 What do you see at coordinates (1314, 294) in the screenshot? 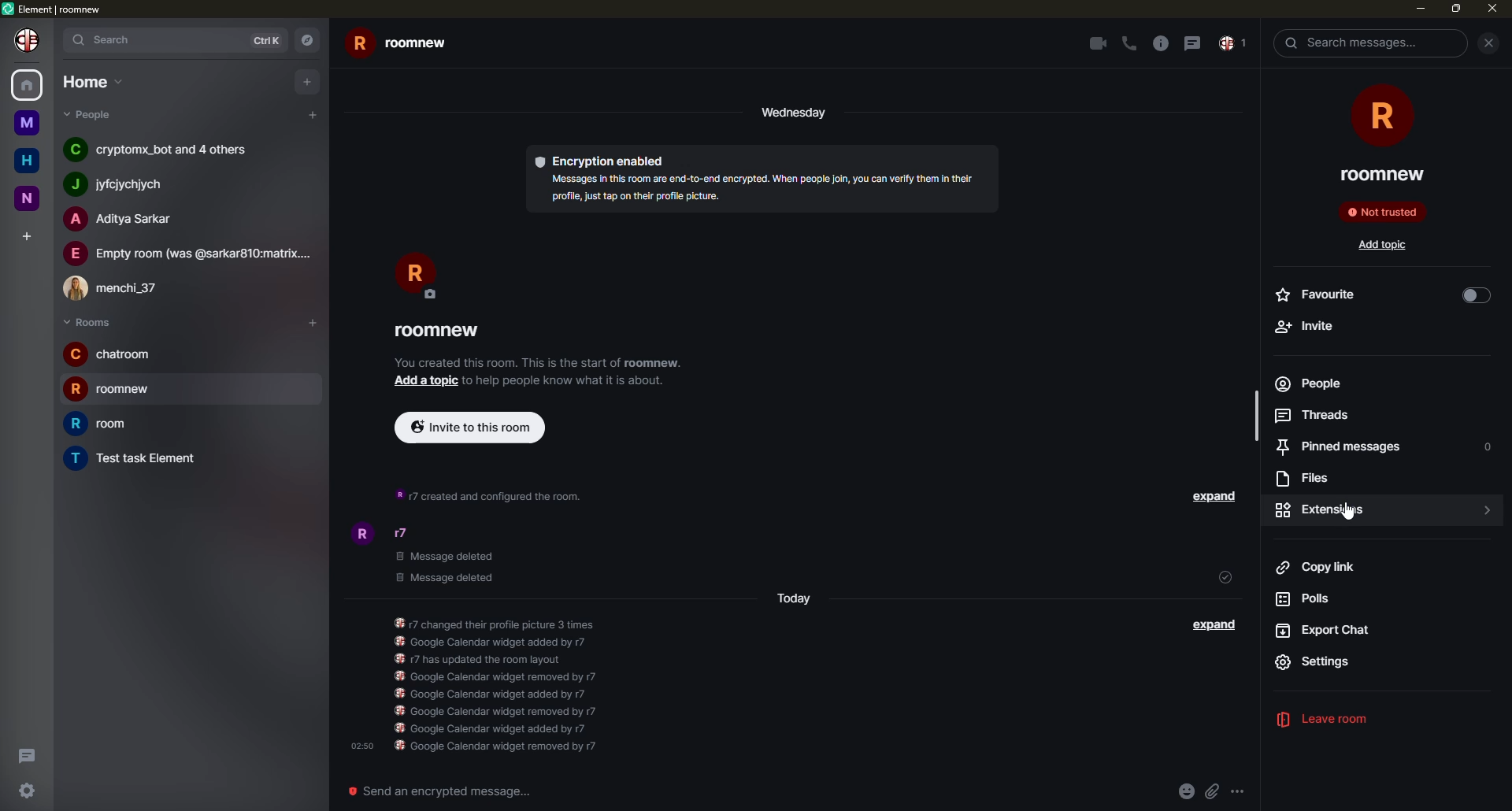
I see ` Favourite` at bounding box center [1314, 294].